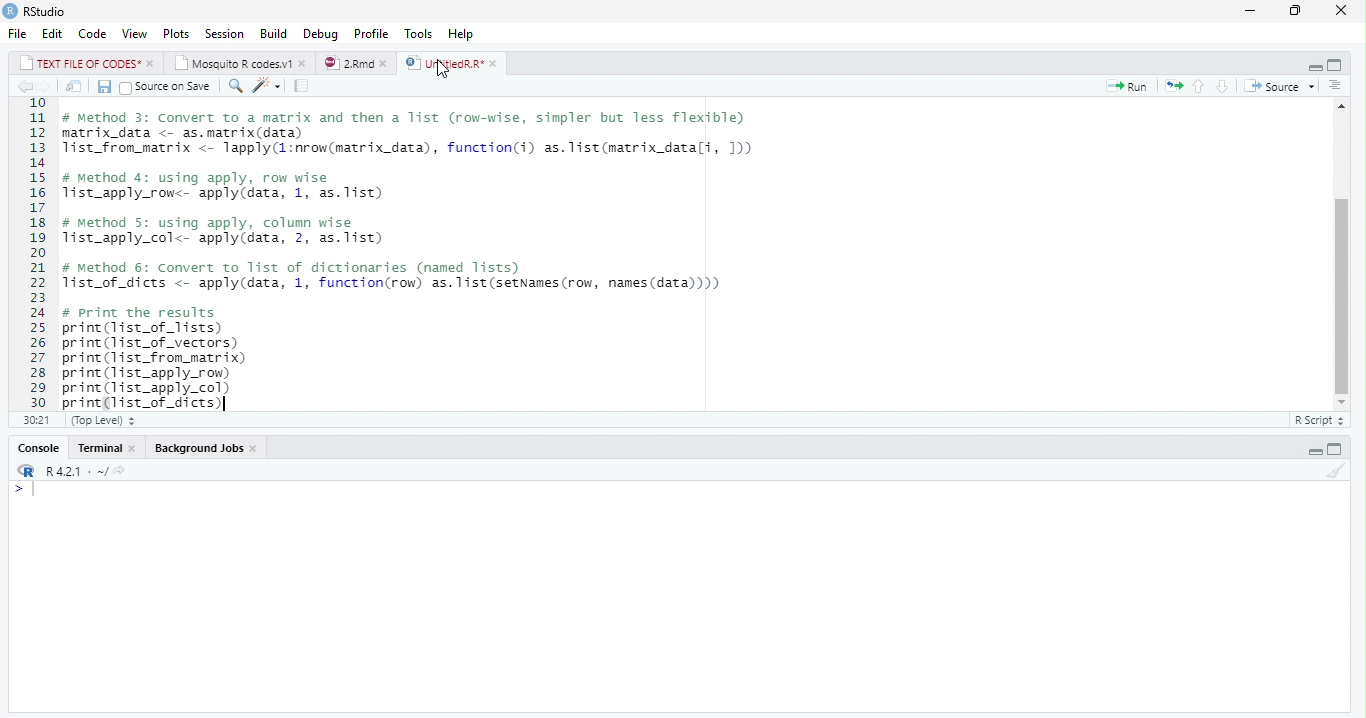 Image resolution: width=1366 pixels, height=718 pixels. Describe the element at coordinates (232, 223) in the screenshot. I see `# method 5: using apply, column wise` at that location.